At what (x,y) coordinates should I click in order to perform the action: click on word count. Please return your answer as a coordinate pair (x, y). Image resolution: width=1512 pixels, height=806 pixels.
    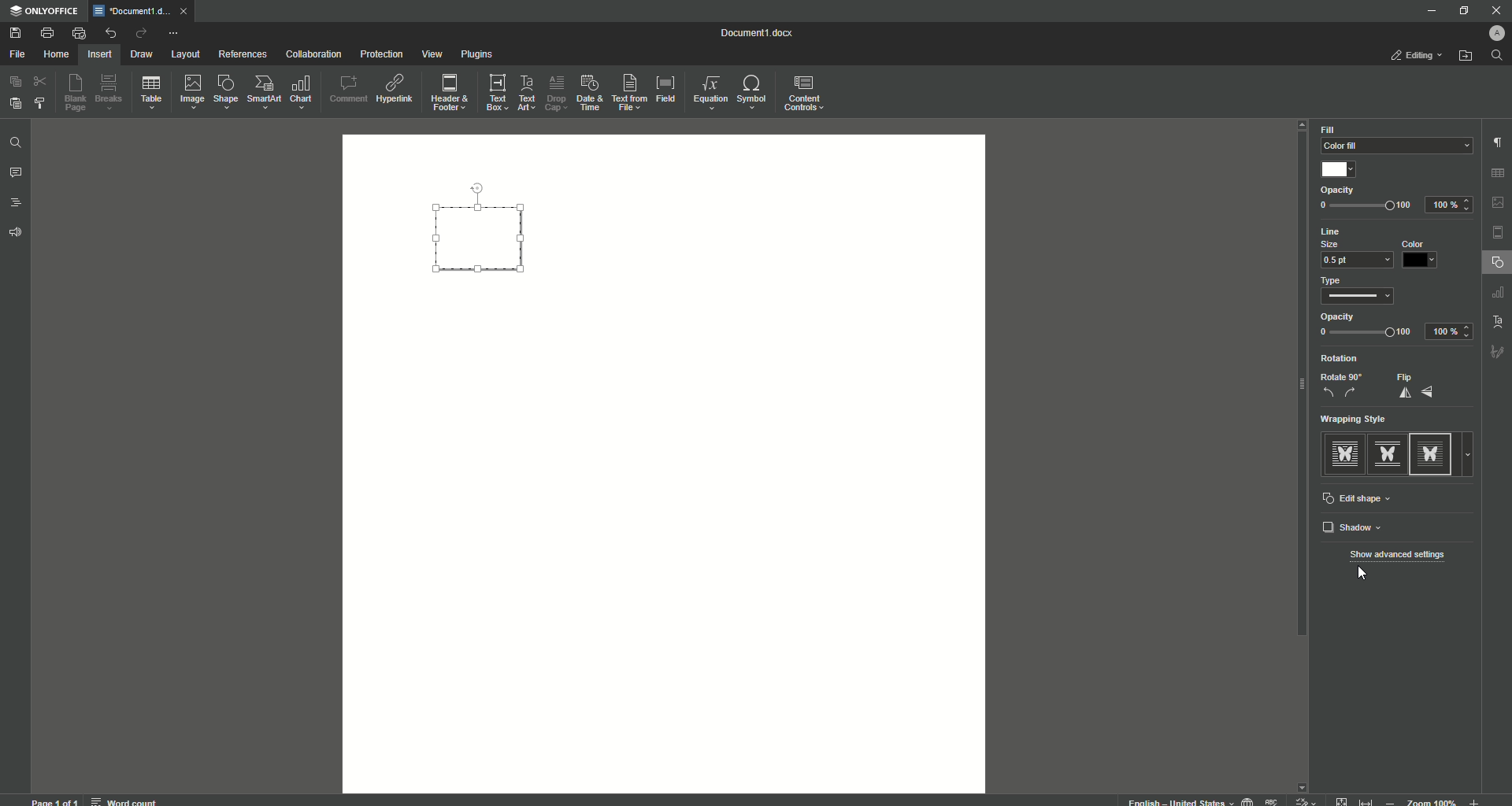
    Looking at the image, I should click on (123, 799).